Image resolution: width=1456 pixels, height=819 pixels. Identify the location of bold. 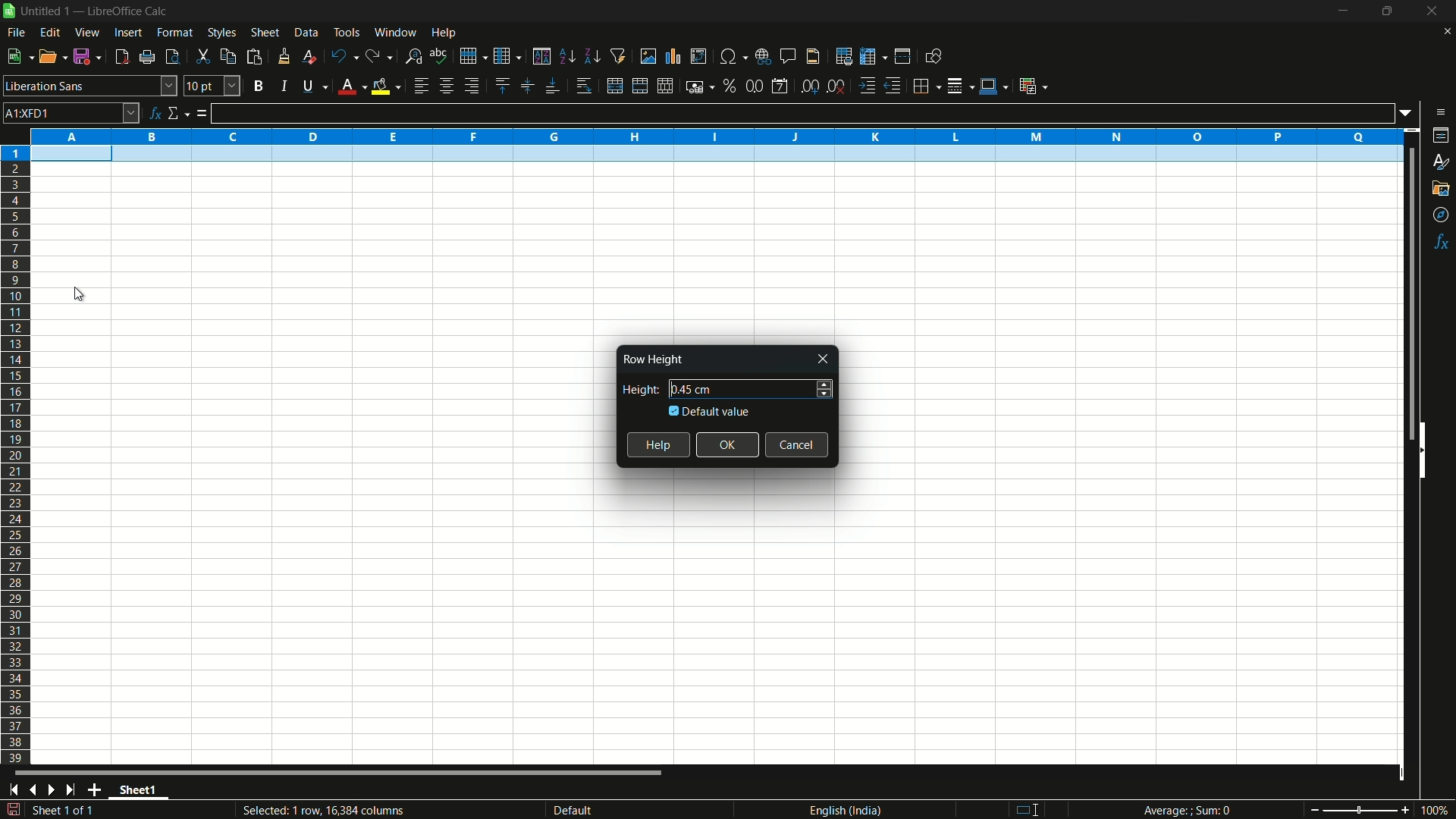
(258, 85).